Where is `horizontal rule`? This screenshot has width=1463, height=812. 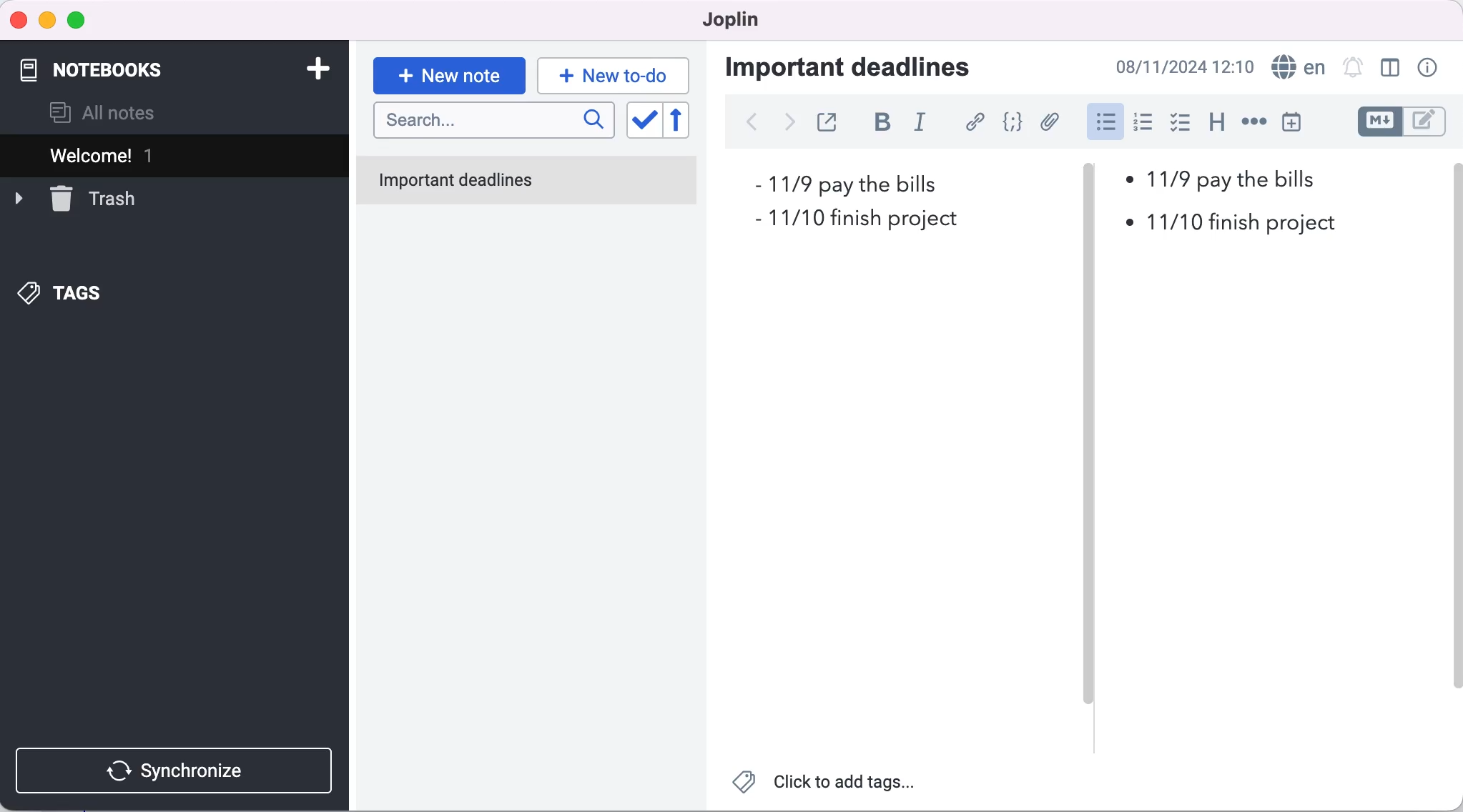 horizontal rule is located at coordinates (1253, 123).